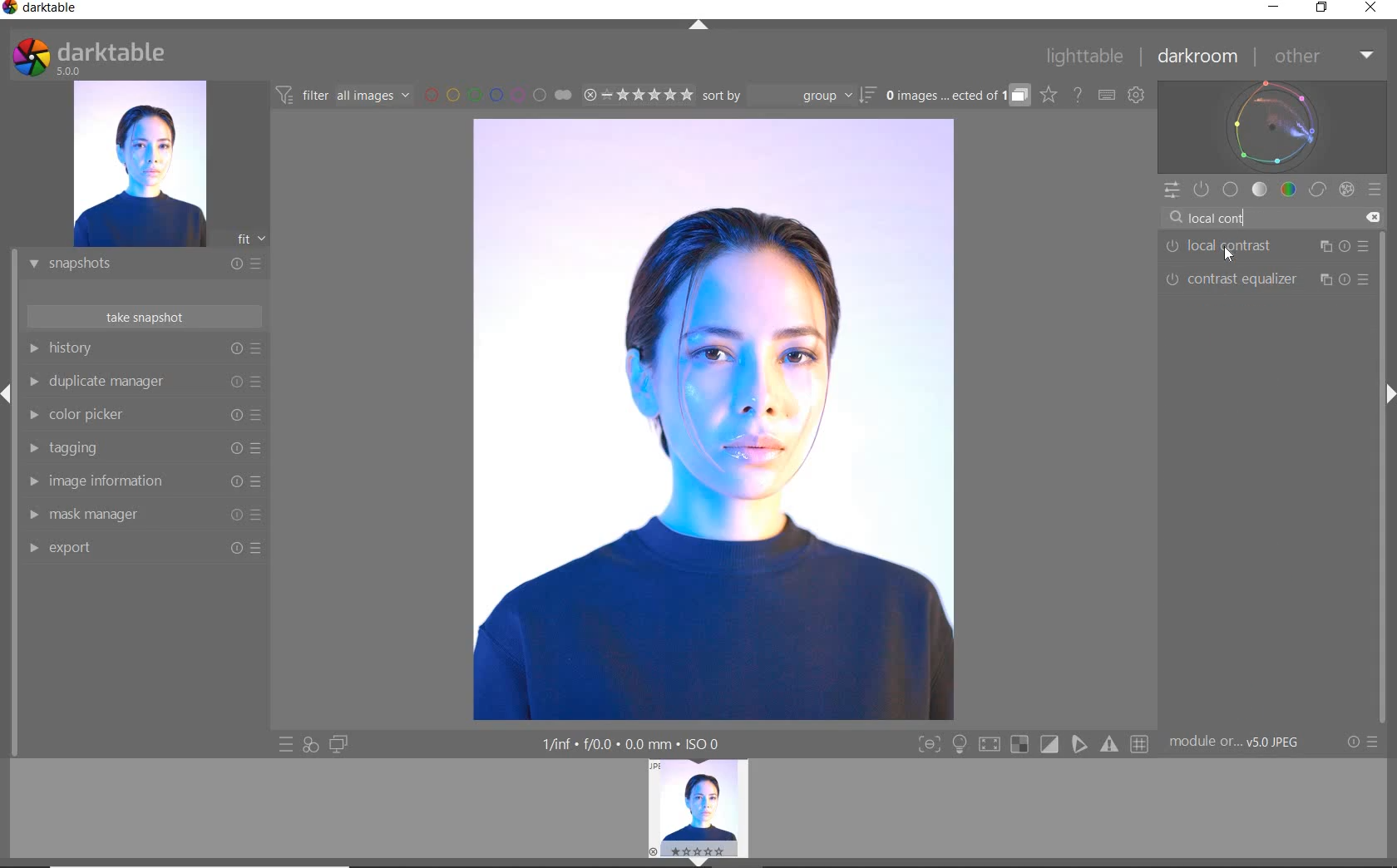 The height and width of the screenshot is (868, 1397). What do you see at coordinates (1080, 744) in the screenshot?
I see `Button` at bounding box center [1080, 744].